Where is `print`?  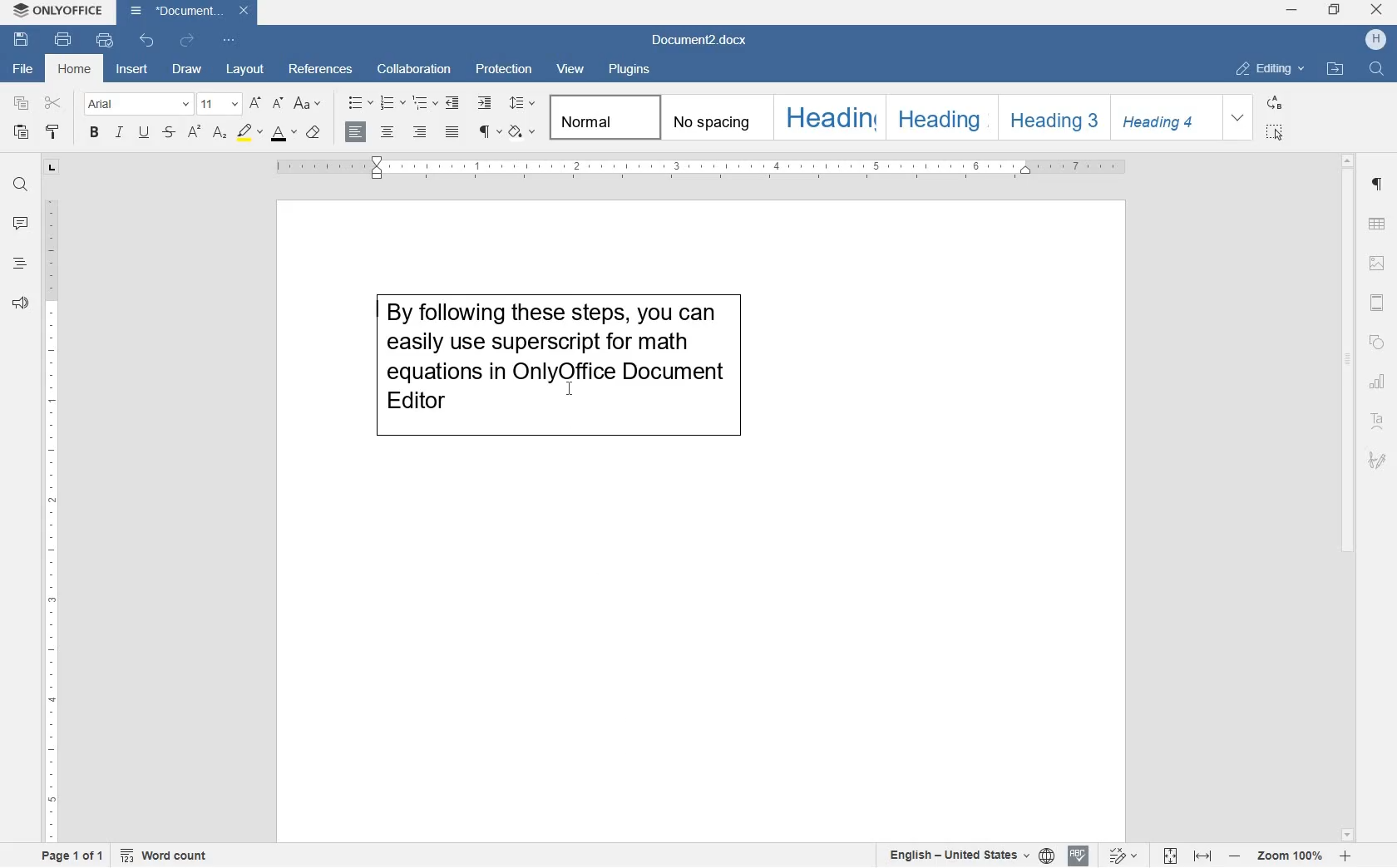
print is located at coordinates (64, 40).